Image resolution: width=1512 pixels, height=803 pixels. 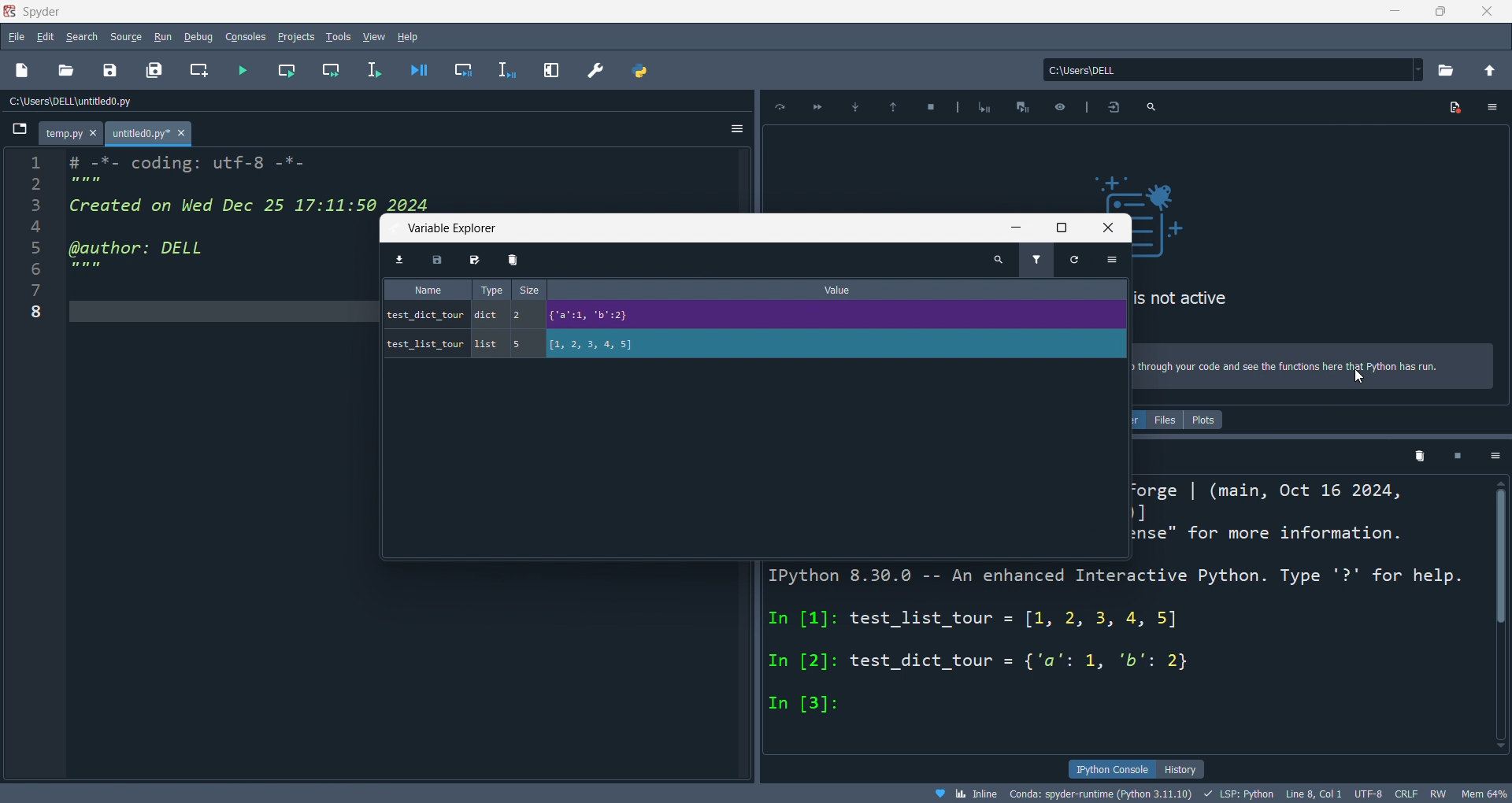 What do you see at coordinates (338, 37) in the screenshot?
I see `tools` at bounding box center [338, 37].